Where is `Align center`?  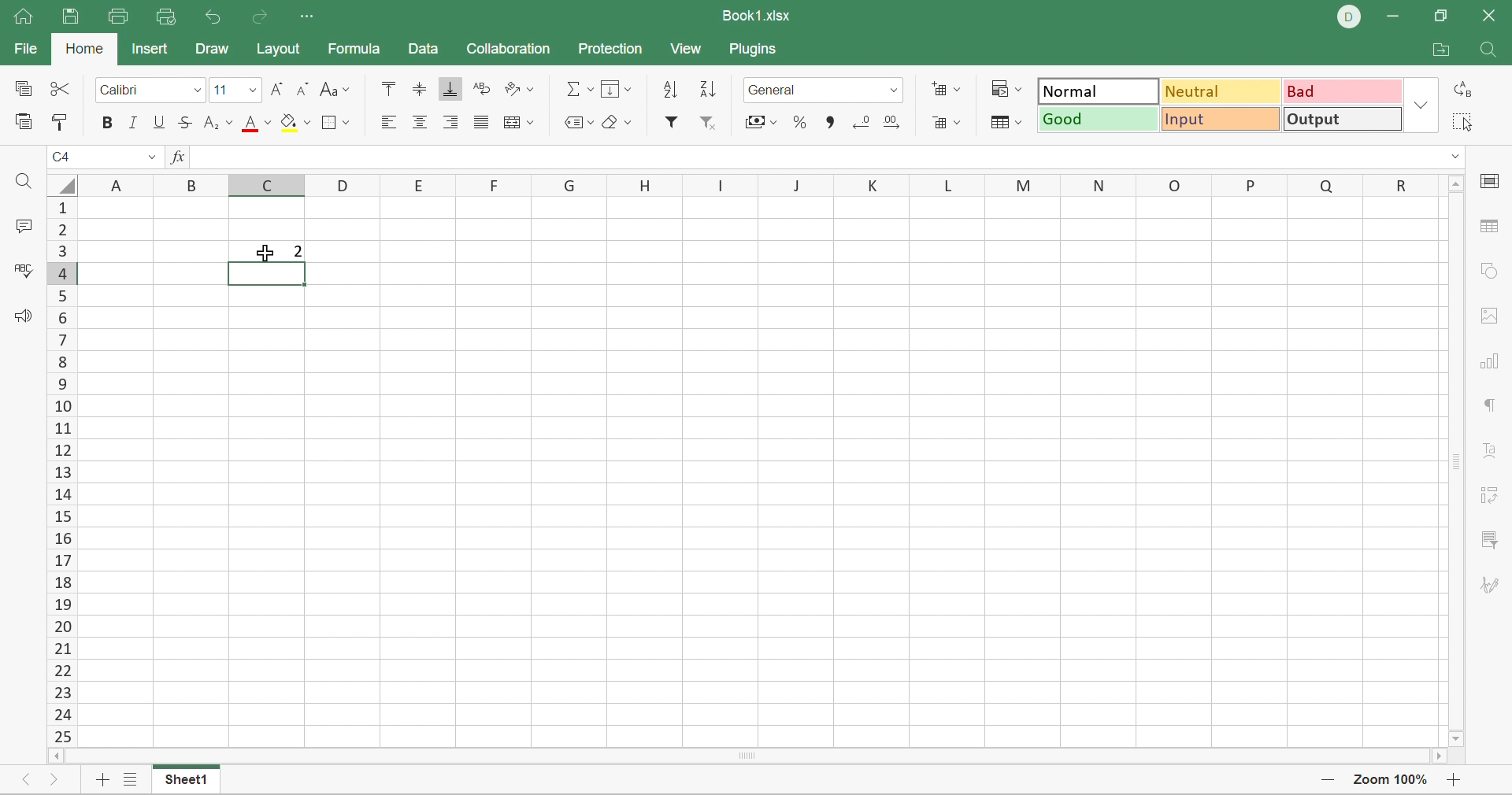 Align center is located at coordinates (421, 122).